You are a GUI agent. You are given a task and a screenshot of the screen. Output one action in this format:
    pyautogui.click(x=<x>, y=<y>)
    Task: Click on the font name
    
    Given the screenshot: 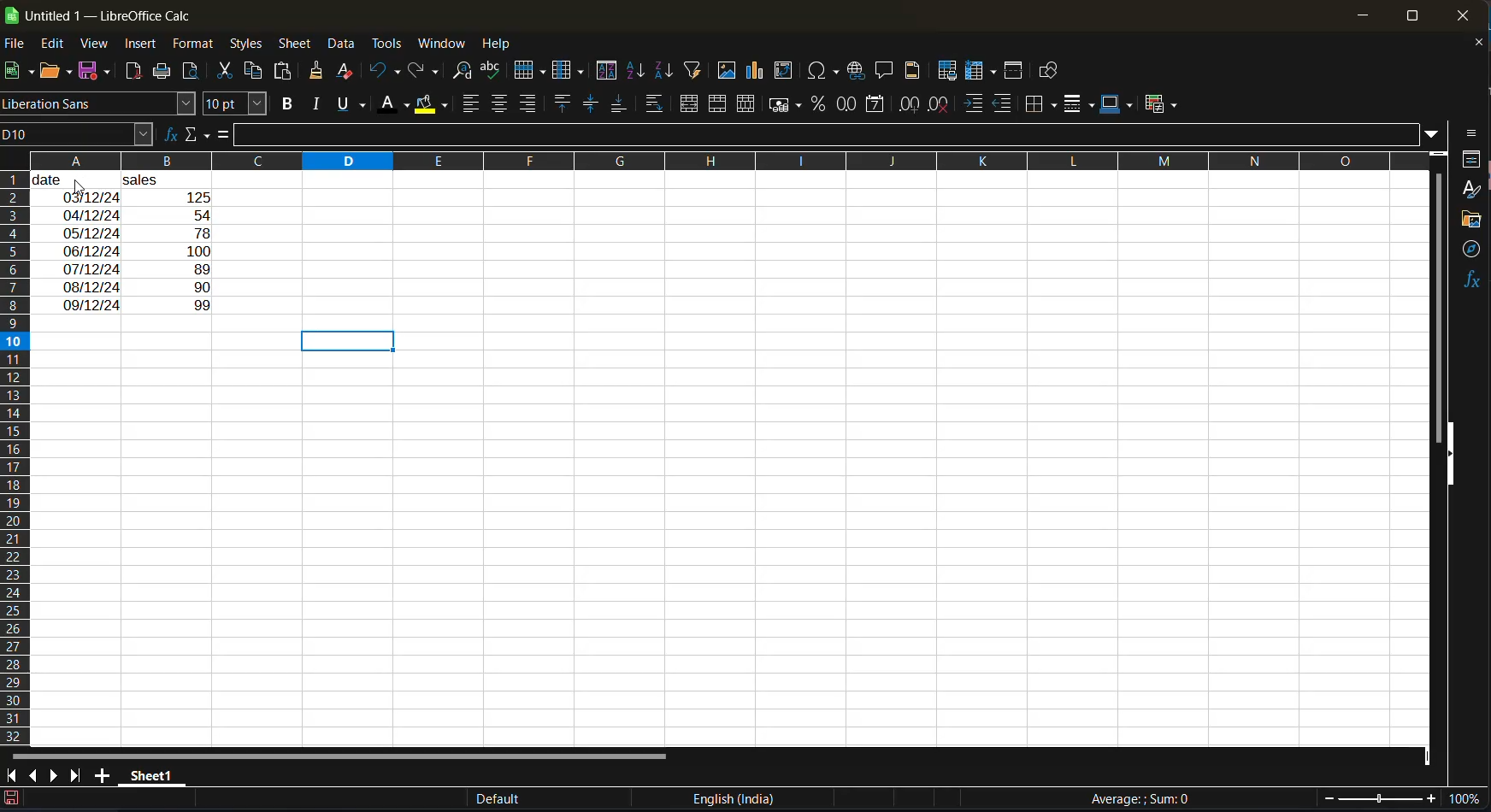 What is the action you would take?
    pyautogui.click(x=101, y=103)
    